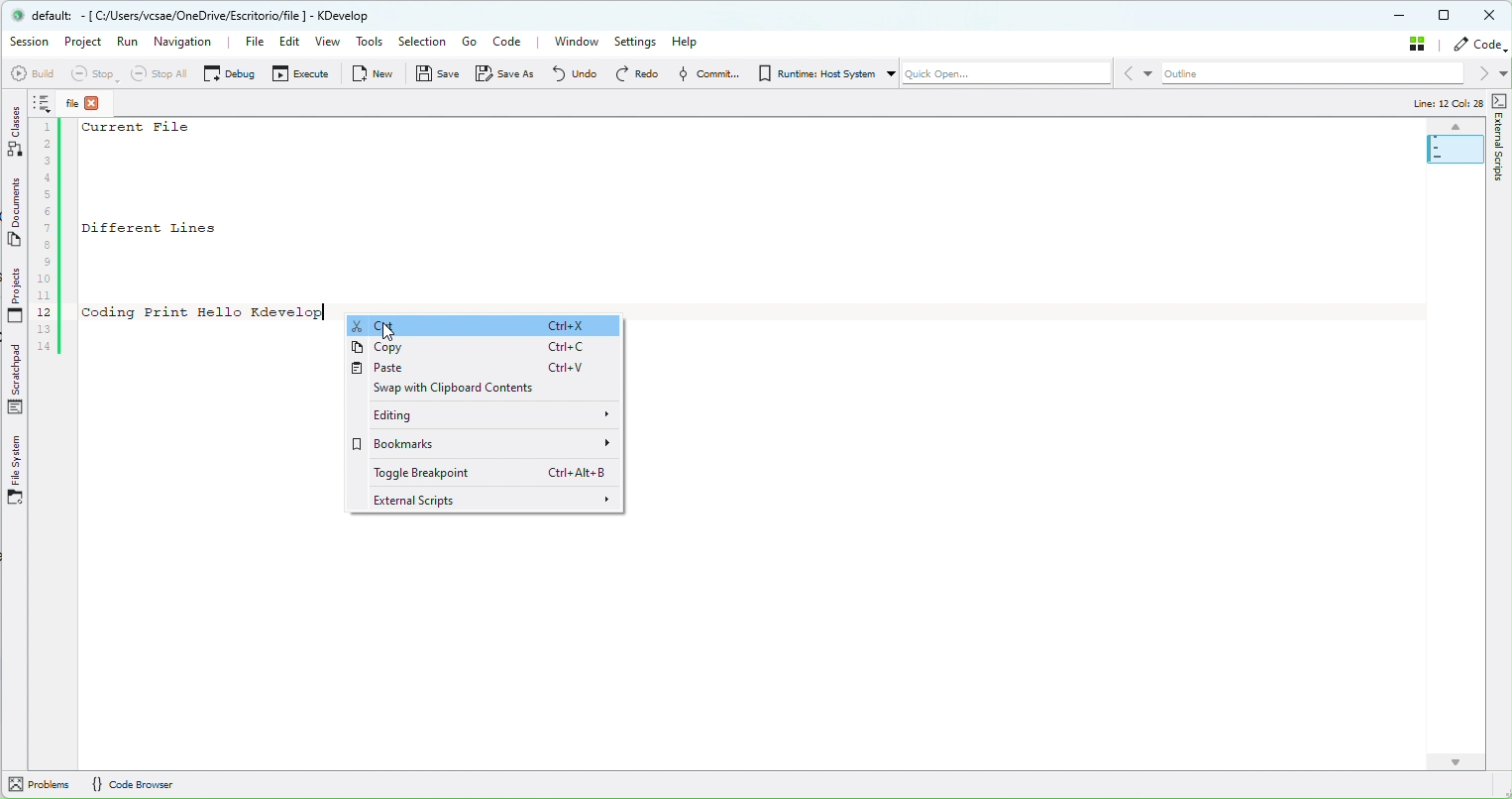 This screenshot has height=799, width=1512. I want to click on Session, so click(28, 43).